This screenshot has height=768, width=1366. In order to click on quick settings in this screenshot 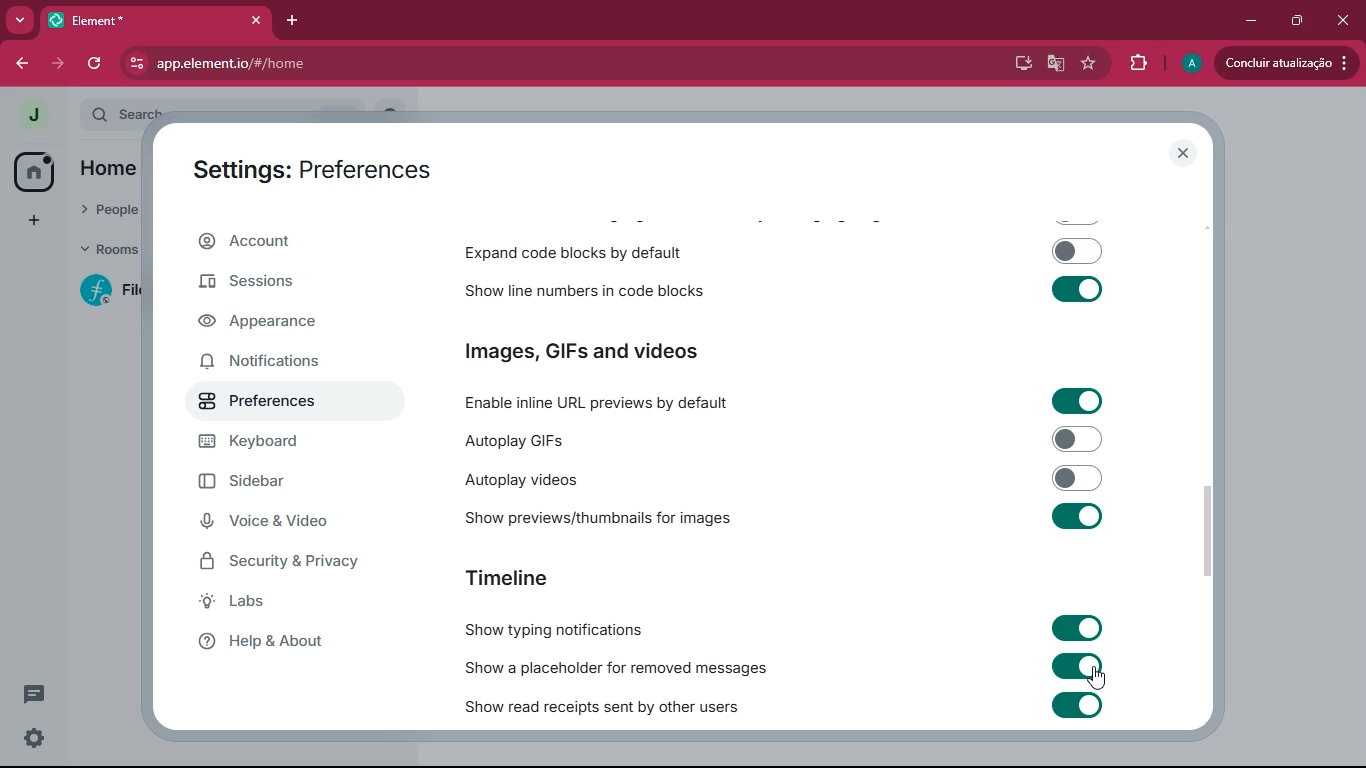, I will do `click(34, 737)`.